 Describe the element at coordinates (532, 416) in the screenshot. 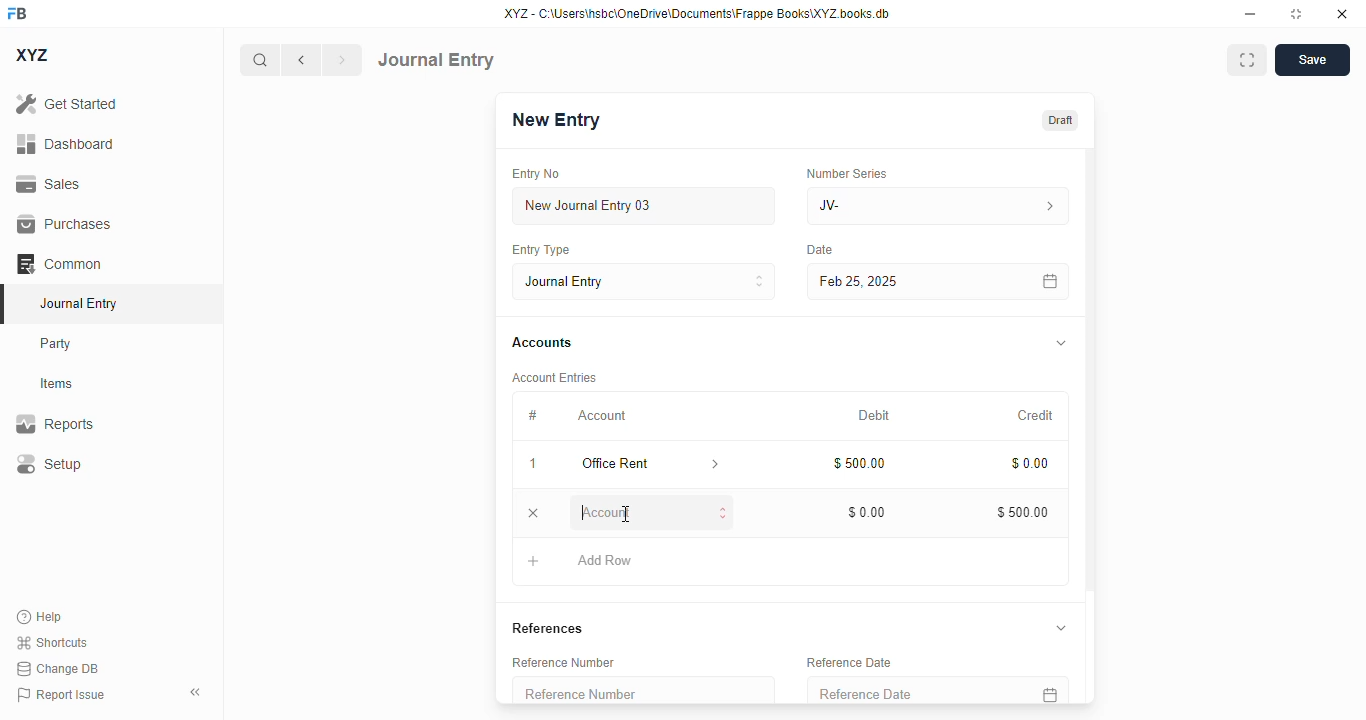

I see `#` at that location.